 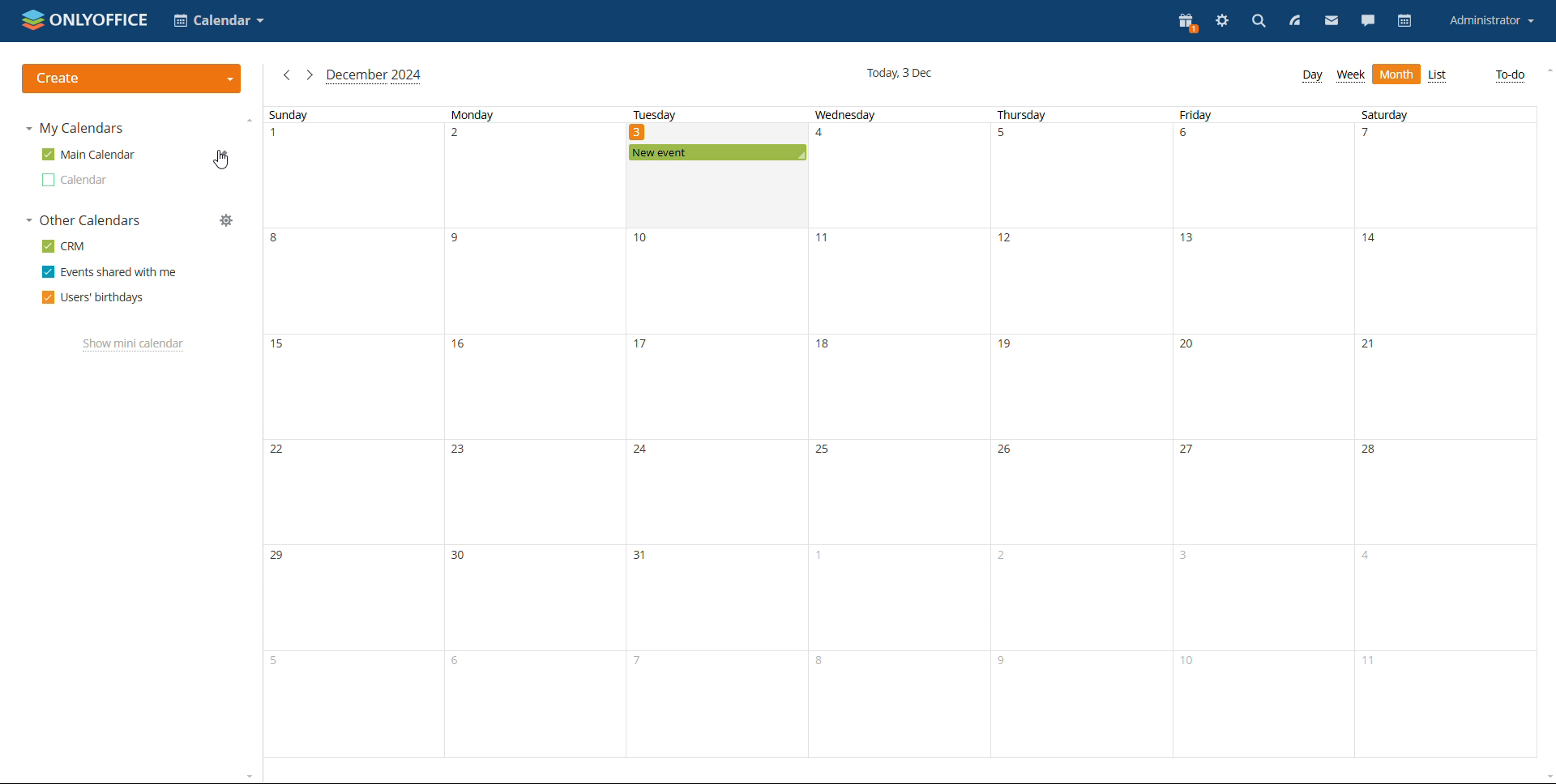 What do you see at coordinates (1261, 599) in the screenshot?
I see `date` at bounding box center [1261, 599].